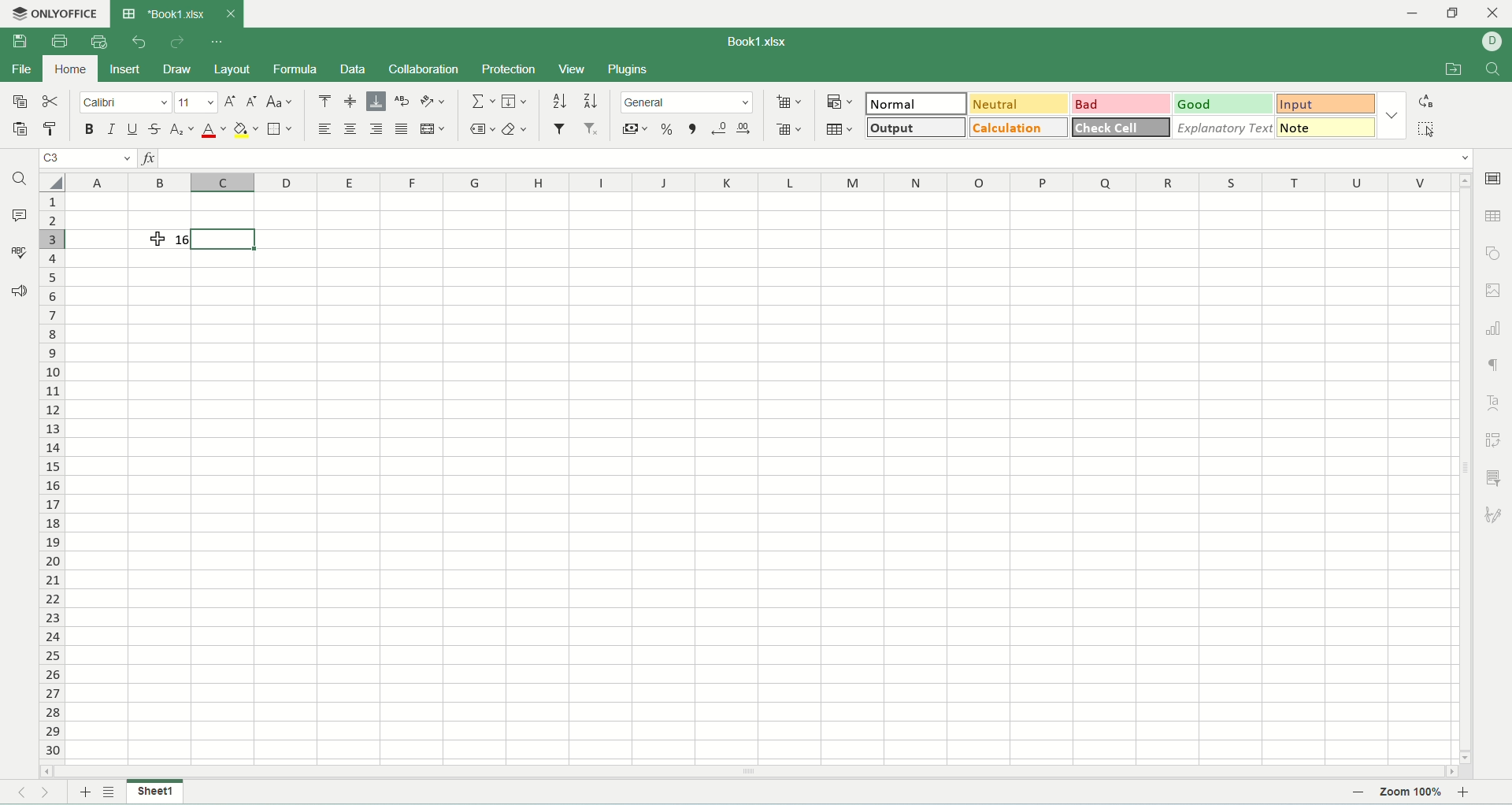 The image size is (1512, 805). Describe the element at coordinates (593, 128) in the screenshot. I see `remove filter` at that location.